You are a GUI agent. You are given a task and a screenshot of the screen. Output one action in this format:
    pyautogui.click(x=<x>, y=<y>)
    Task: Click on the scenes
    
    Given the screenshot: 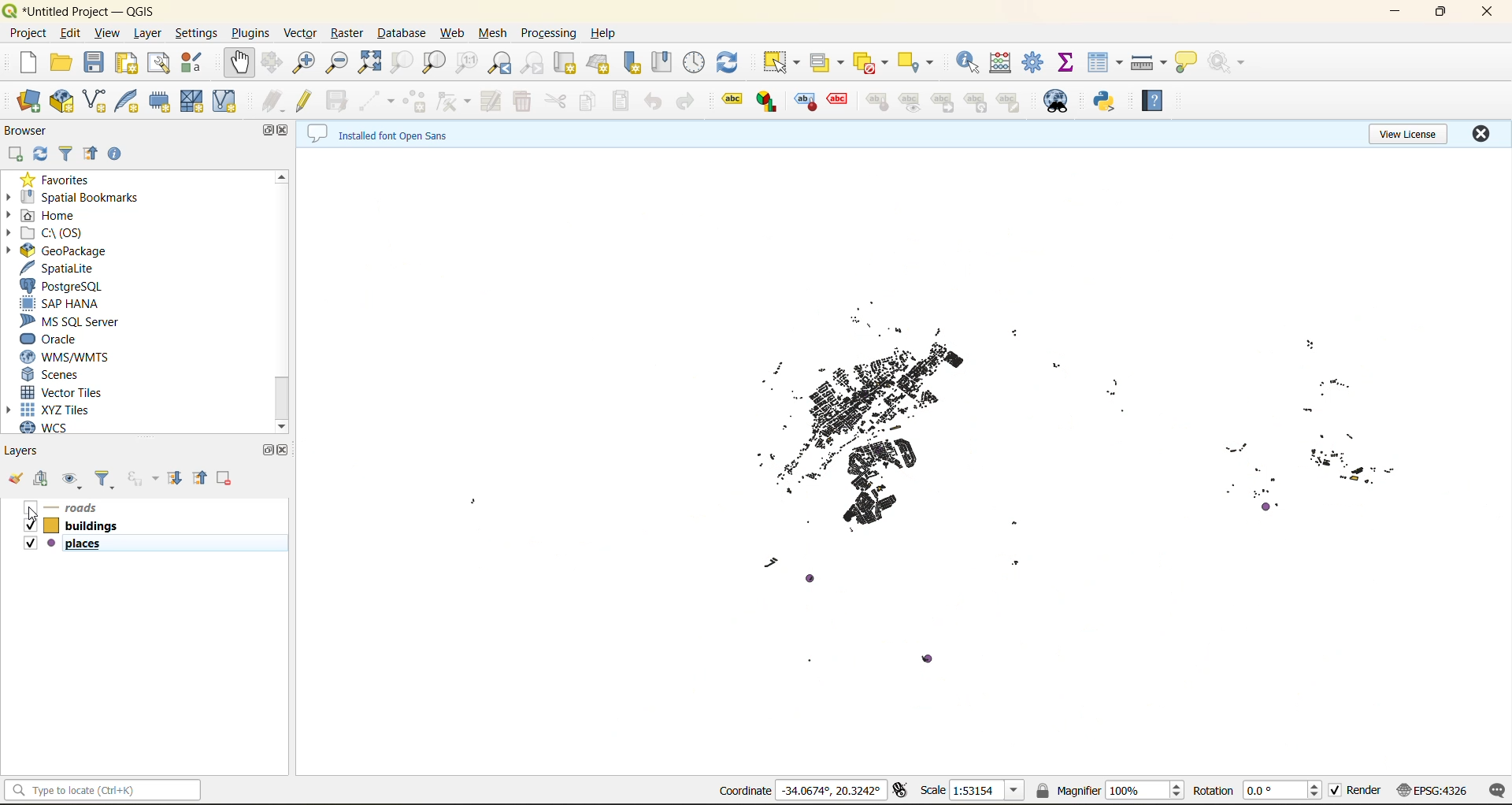 What is the action you would take?
    pyautogui.click(x=73, y=374)
    